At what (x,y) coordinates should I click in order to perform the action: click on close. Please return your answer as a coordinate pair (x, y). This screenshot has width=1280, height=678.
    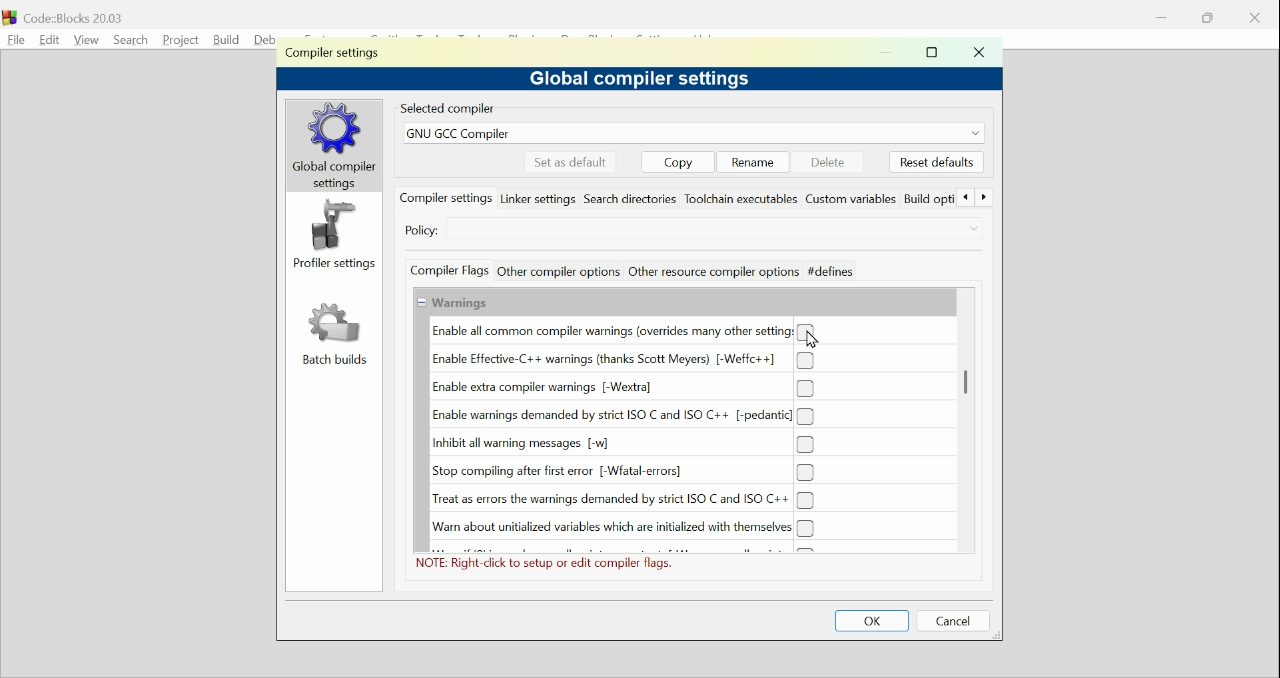
    Looking at the image, I should click on (1255, 17).